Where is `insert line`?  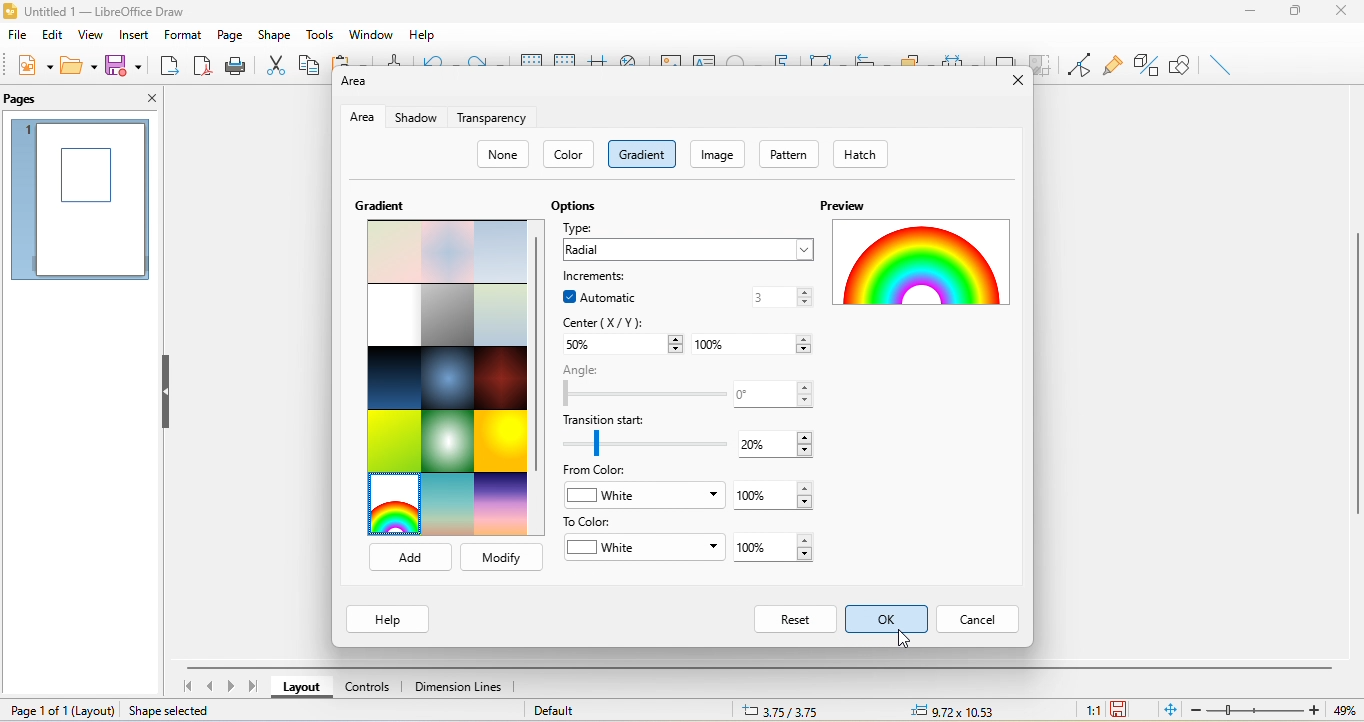 insert line is located at coordinates (1216, 63).